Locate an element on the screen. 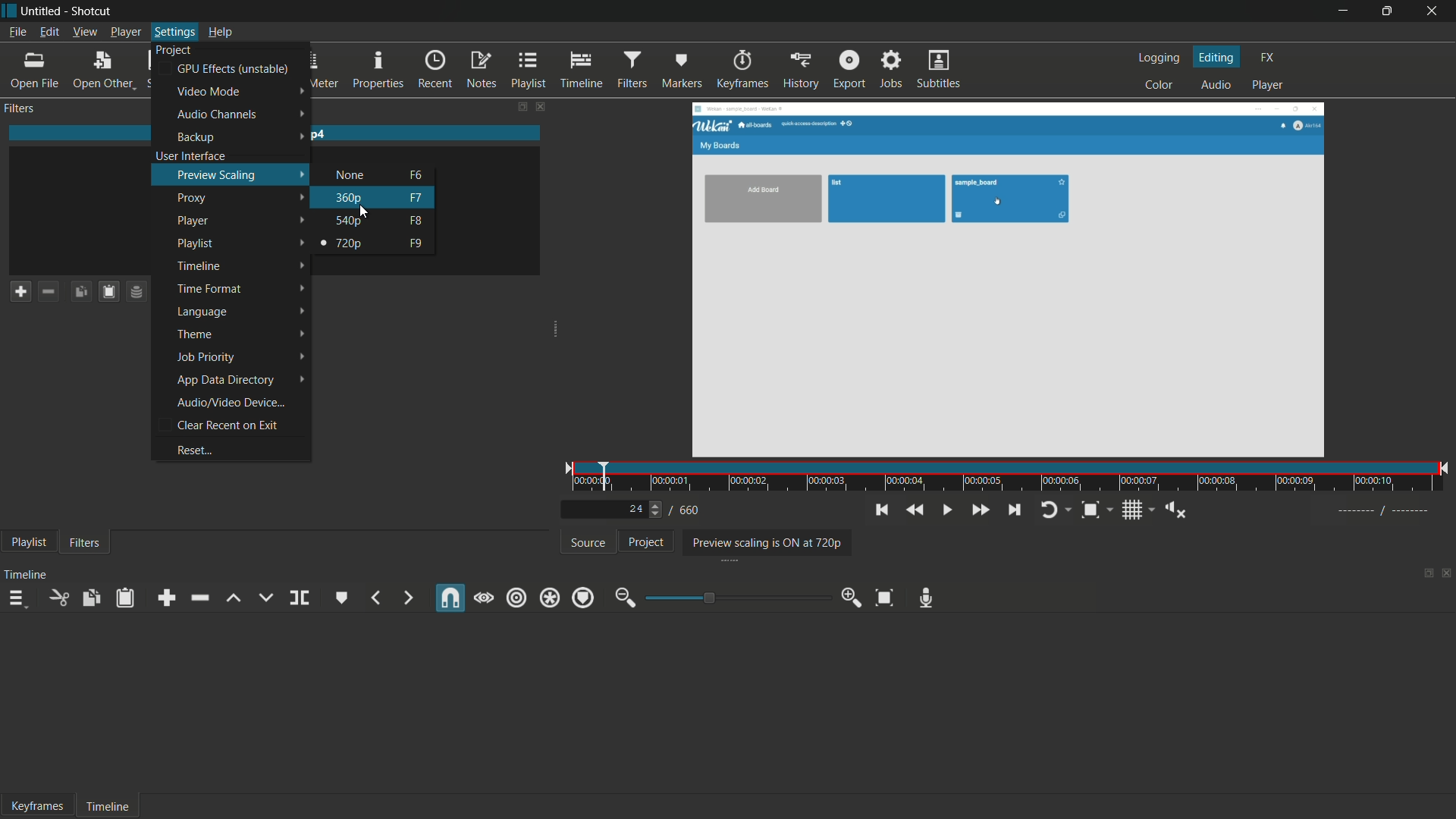 Image resolution: width=1456 pixels, height=819 pixels. none is located at coordinates (351, 175).